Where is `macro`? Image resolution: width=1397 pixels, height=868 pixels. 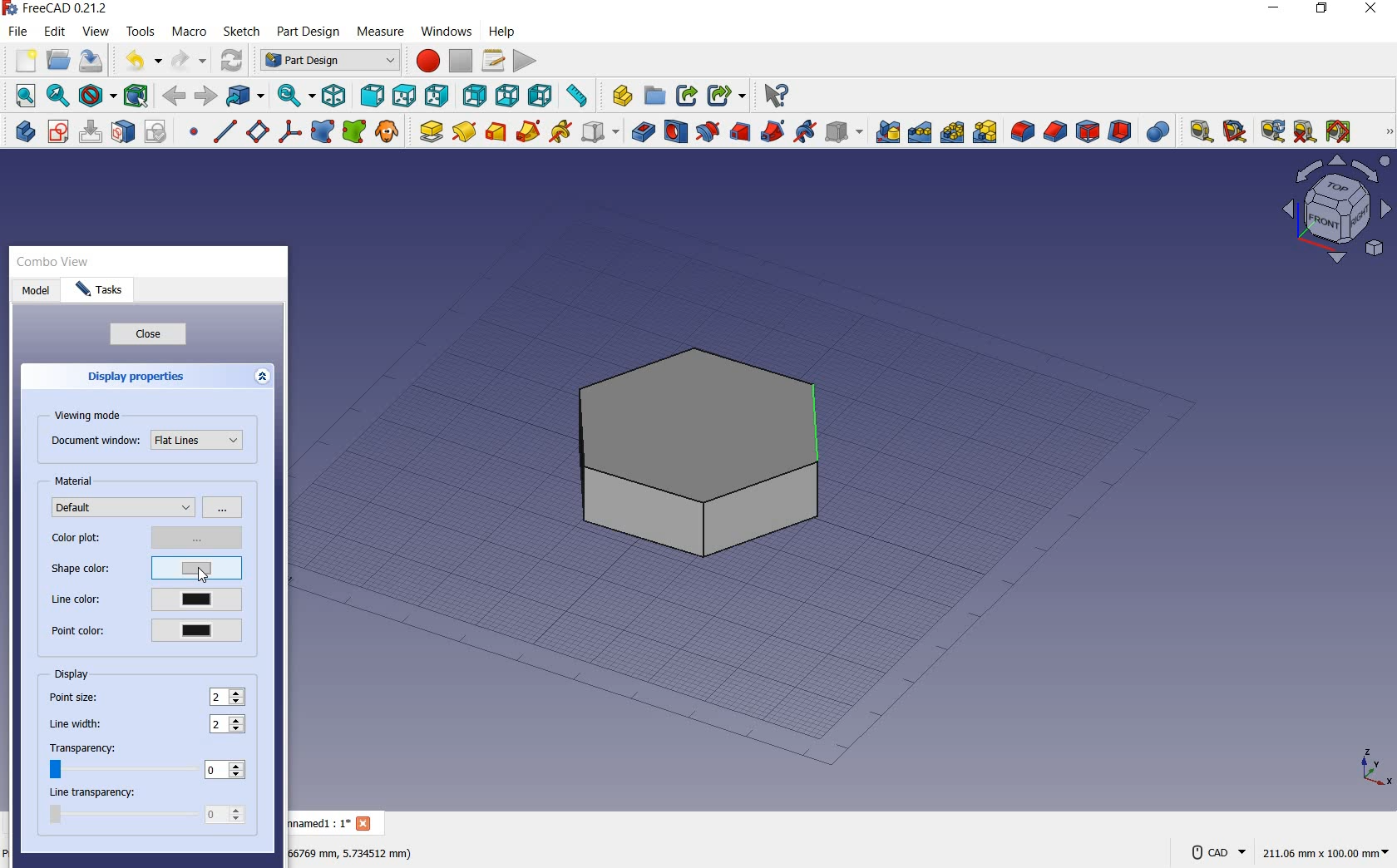 macro is located at coordinates (190, 32).